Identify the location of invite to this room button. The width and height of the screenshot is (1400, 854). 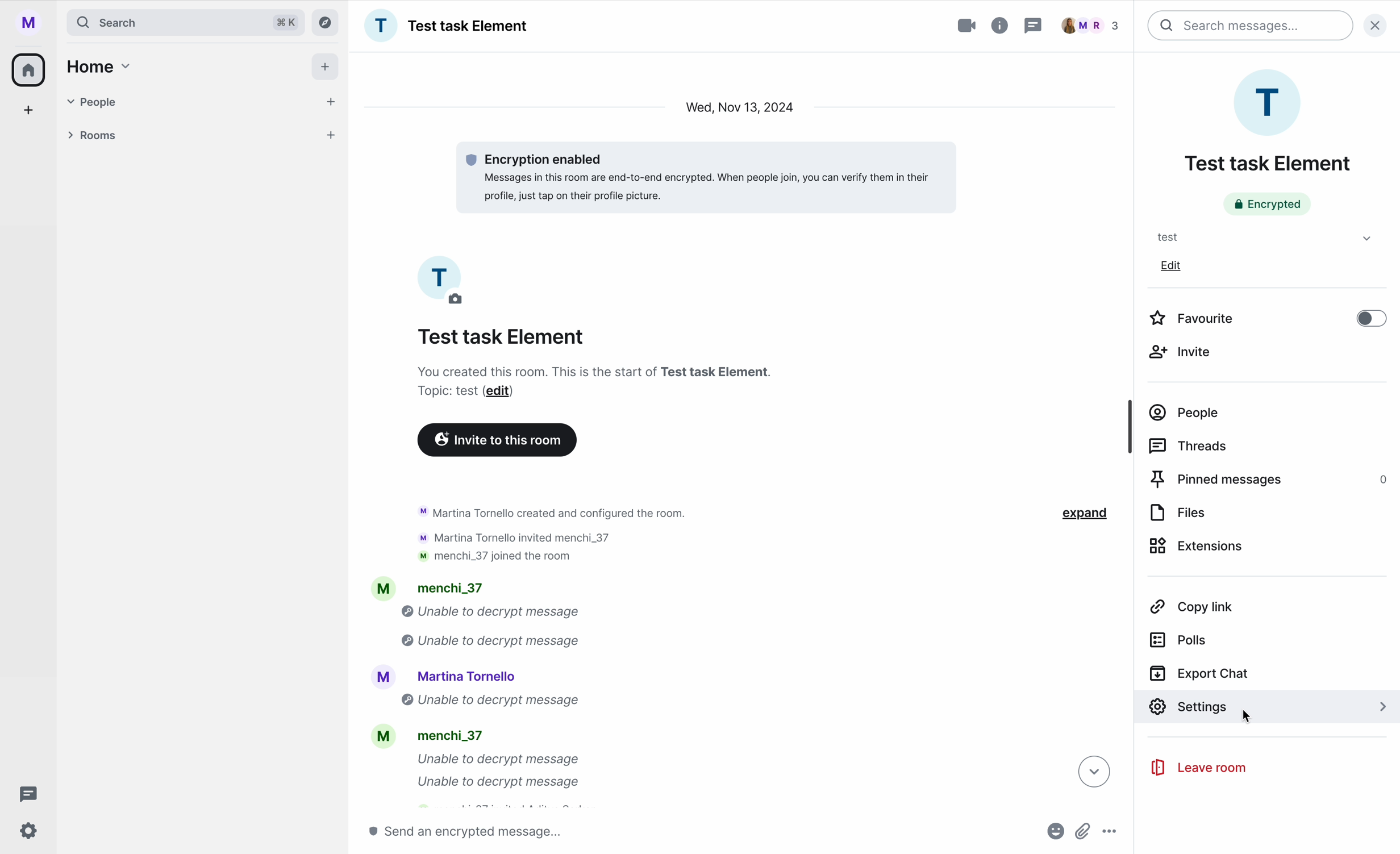
(498, 439).